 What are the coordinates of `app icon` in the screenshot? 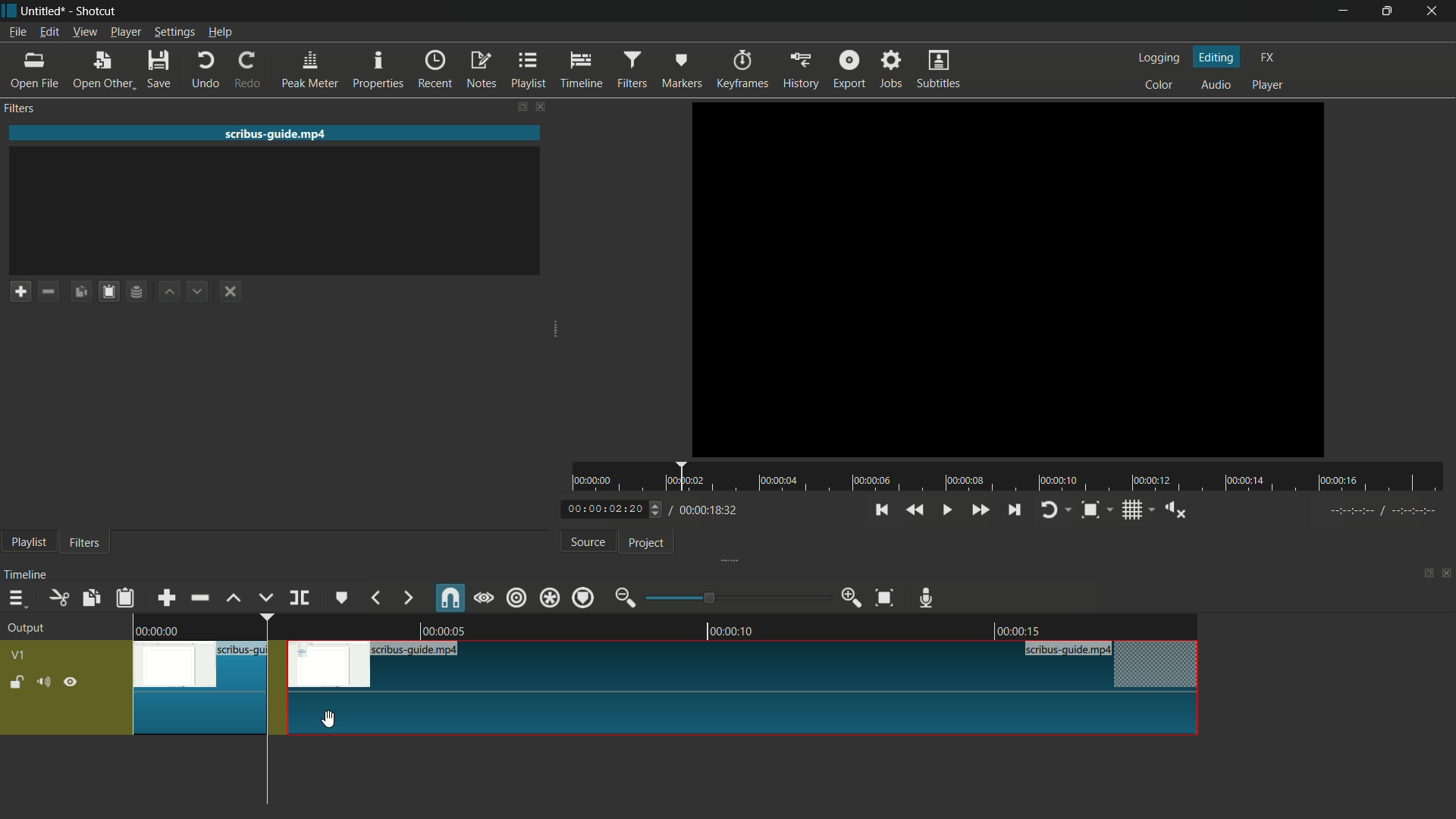 It's located at (9, 9).